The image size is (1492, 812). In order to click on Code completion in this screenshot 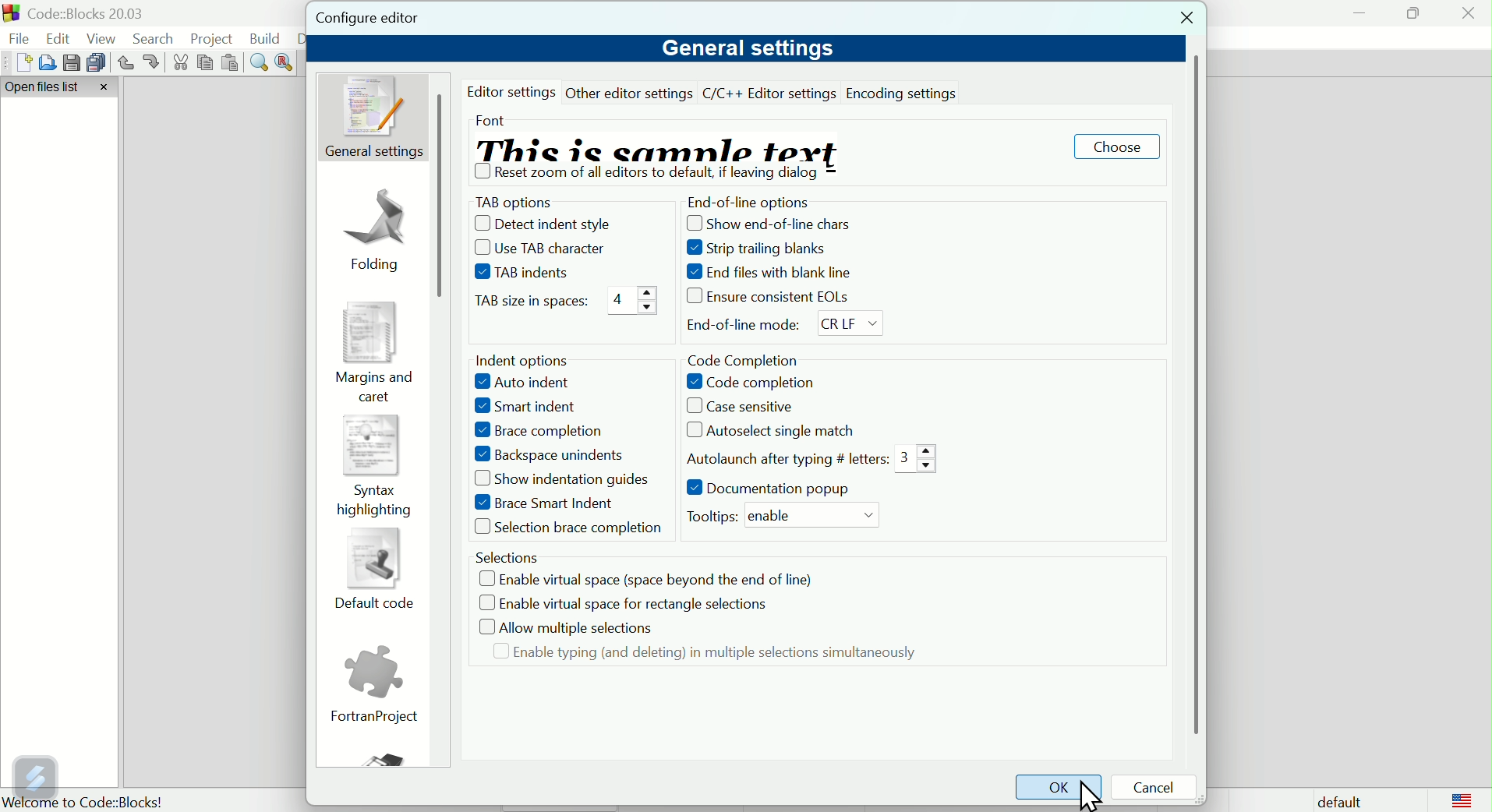, I will do `click(752, 381)`.